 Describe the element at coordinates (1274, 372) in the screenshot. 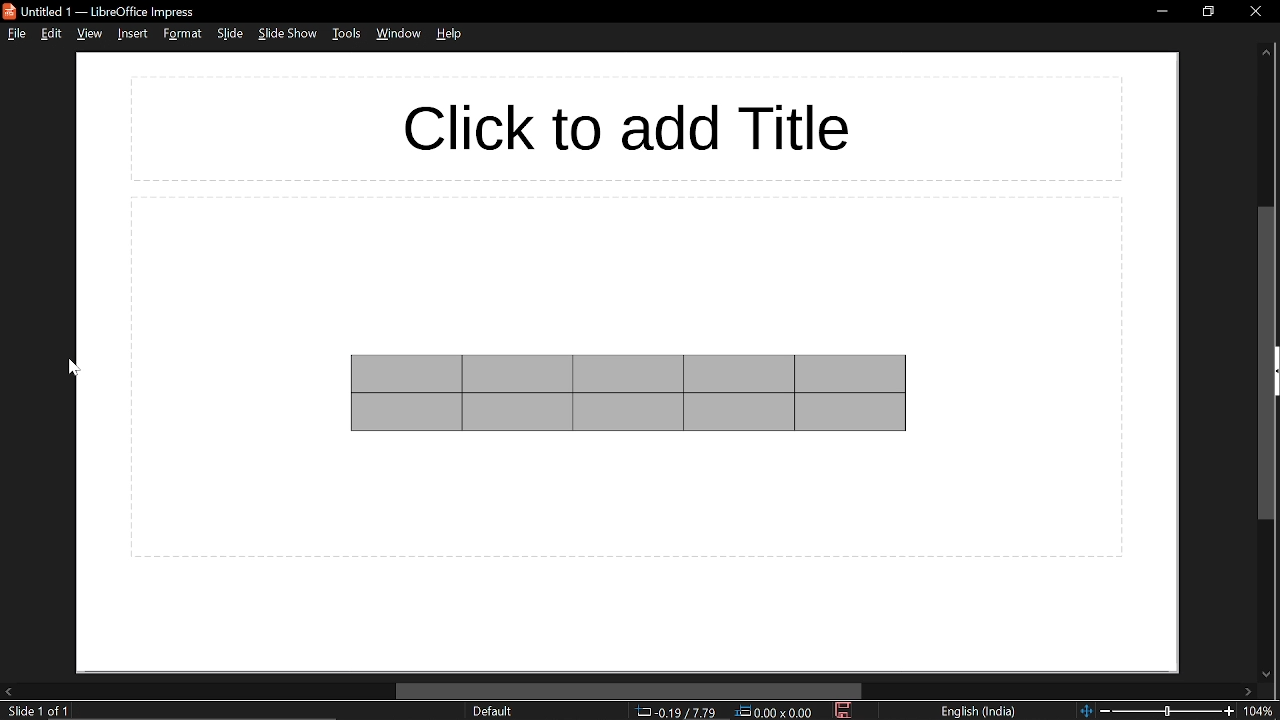

I see `expand sidebar` at that location.